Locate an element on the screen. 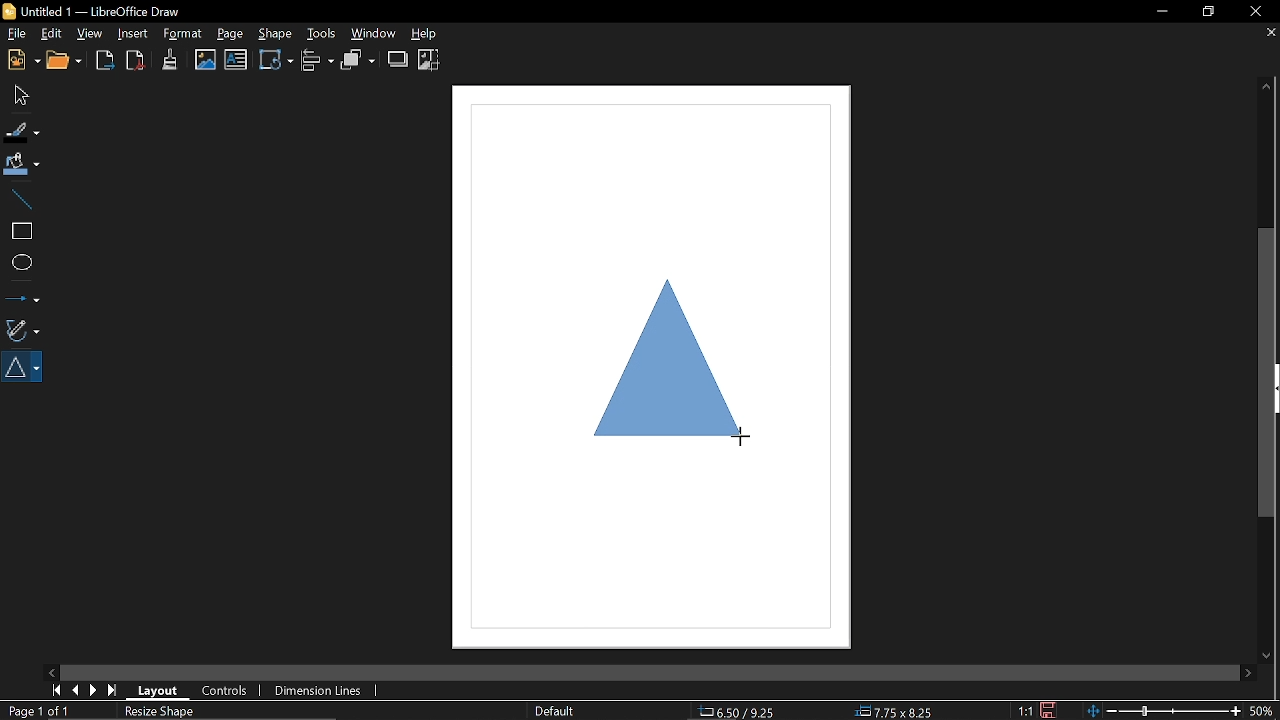 This screenshot has width=1280, height=720. Format is located at coordinates (182, 34).